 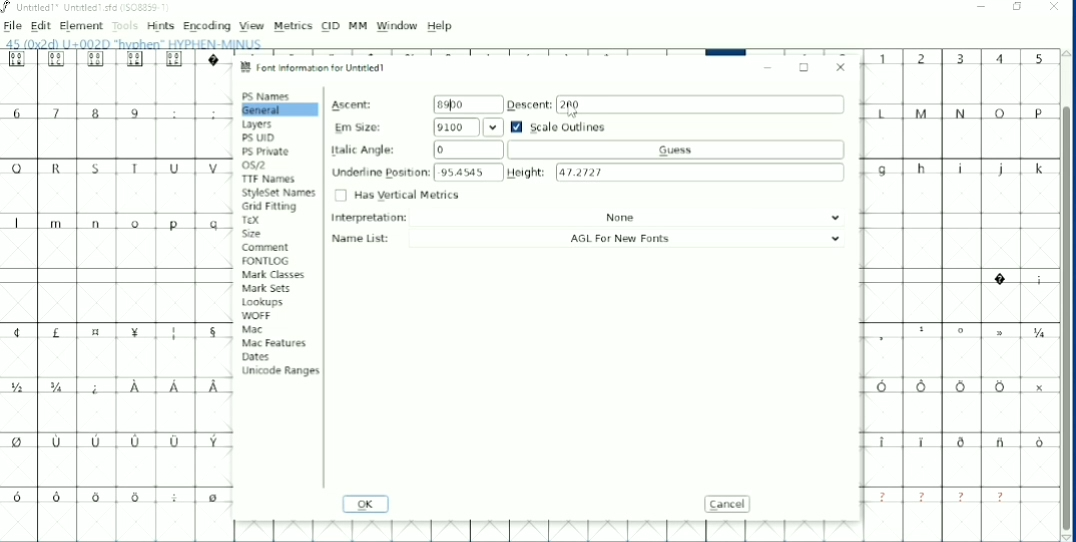 What do you see at coordinates (262, 303) in the screenshot?
I see `Lookups` at bounding box center [262, 303].